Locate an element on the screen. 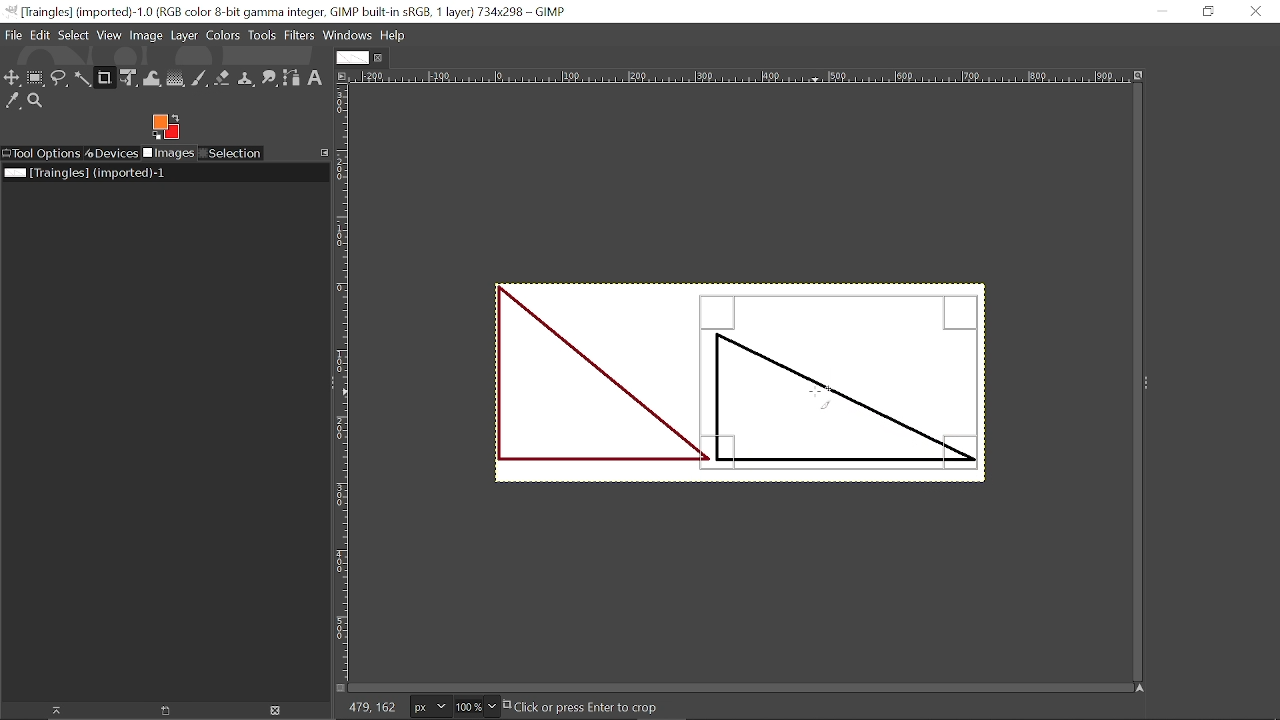  Free select tool is located at coordinates (60, 79).